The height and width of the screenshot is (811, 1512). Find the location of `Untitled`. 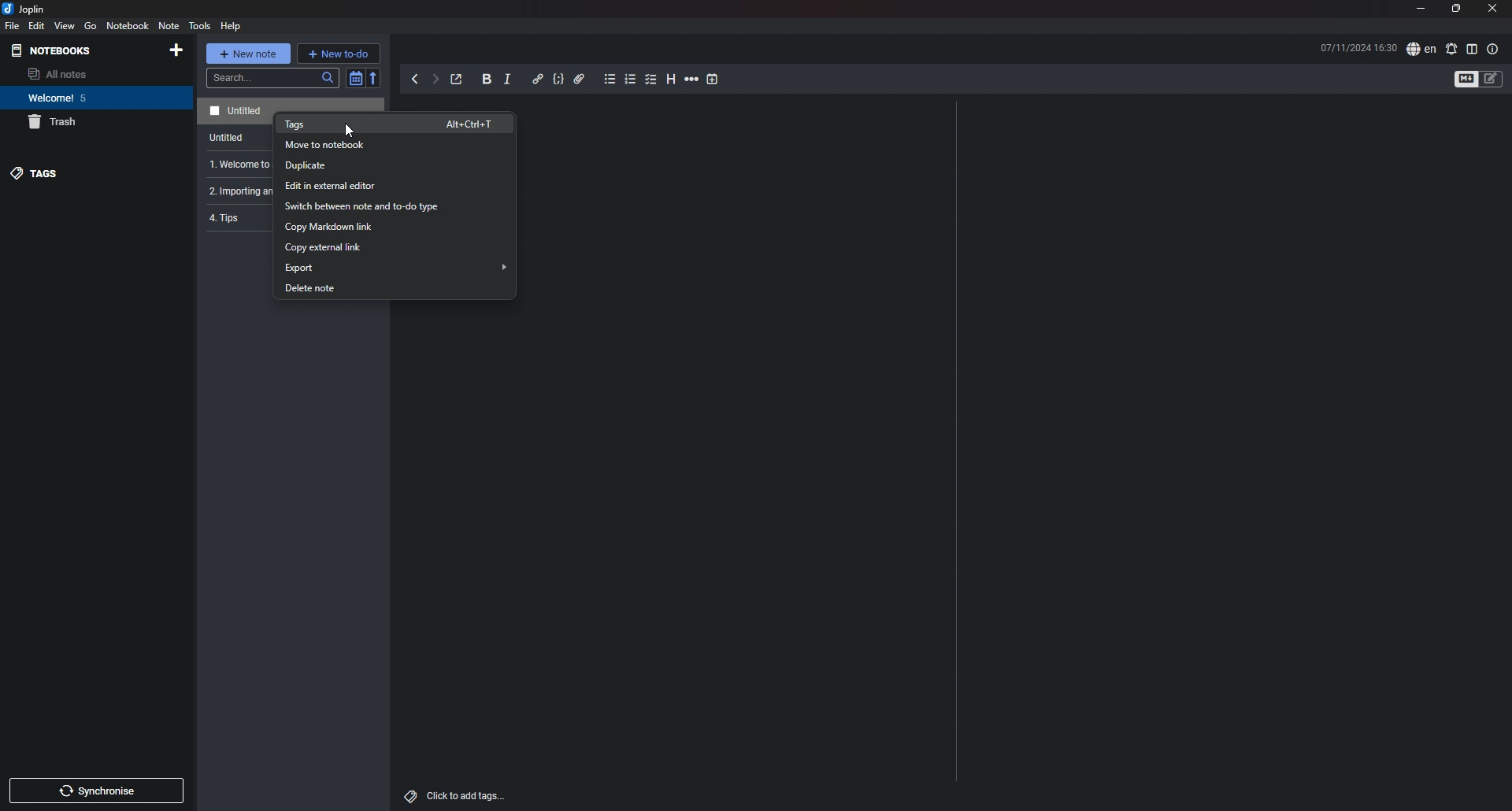

Untitled is located at coordinates (230, 139).